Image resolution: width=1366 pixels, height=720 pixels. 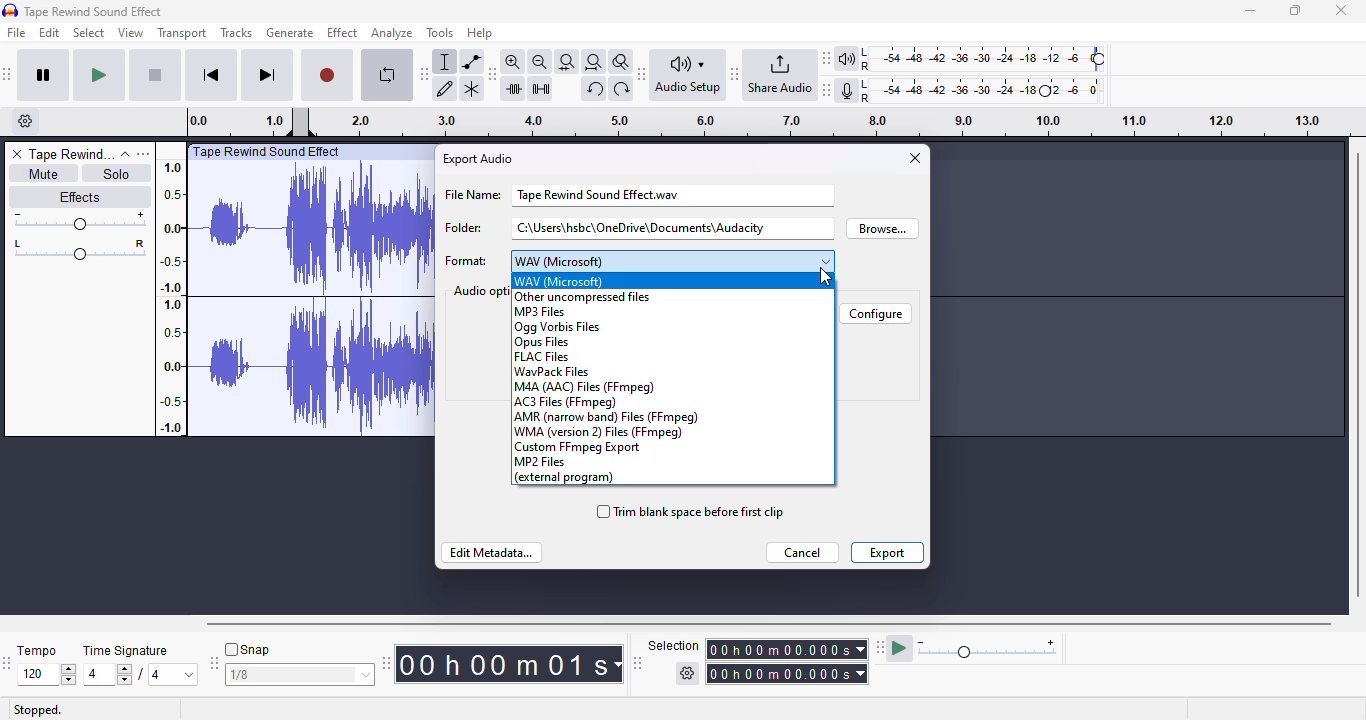 What do you see at coordinates (387, 75) in the screenshot?
I see `enable looping` at bounding box center [387, 75].